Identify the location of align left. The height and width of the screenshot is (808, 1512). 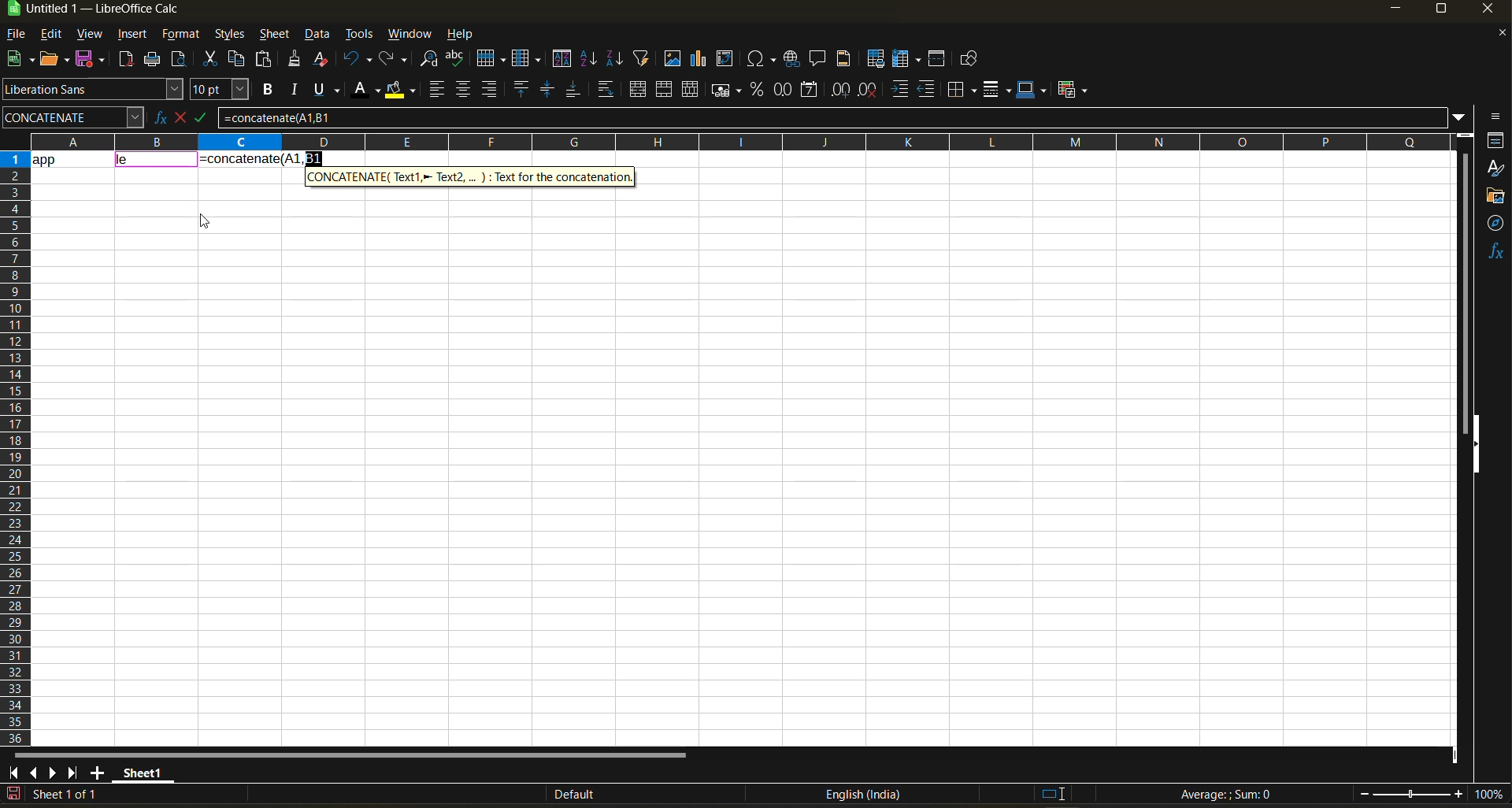
(439, 90).